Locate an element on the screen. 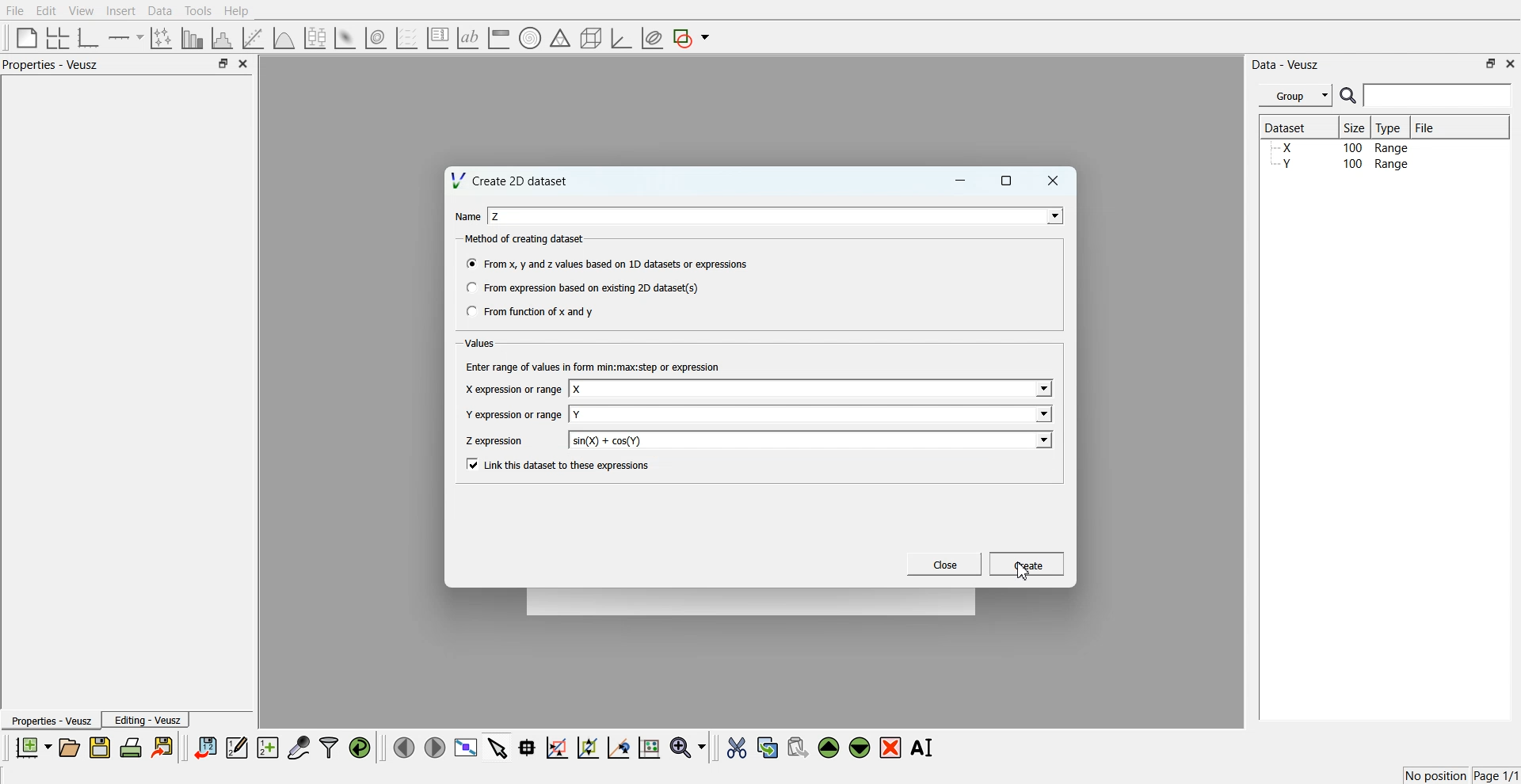 This screenshot has height=784, width=1521. Plot box plots is located at coordinates (315, 38).